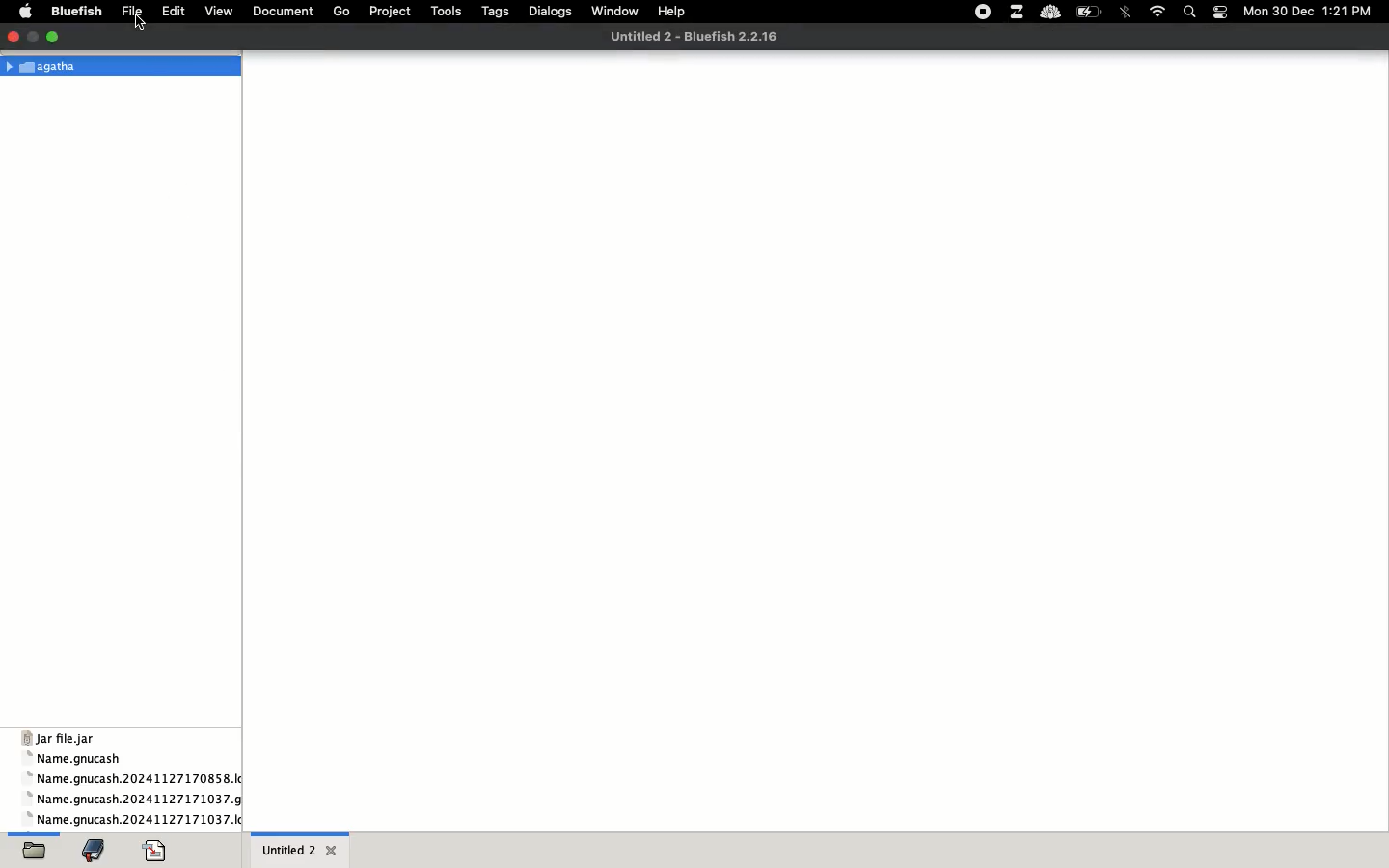  I want to click on dialogs, so click(551, 14).